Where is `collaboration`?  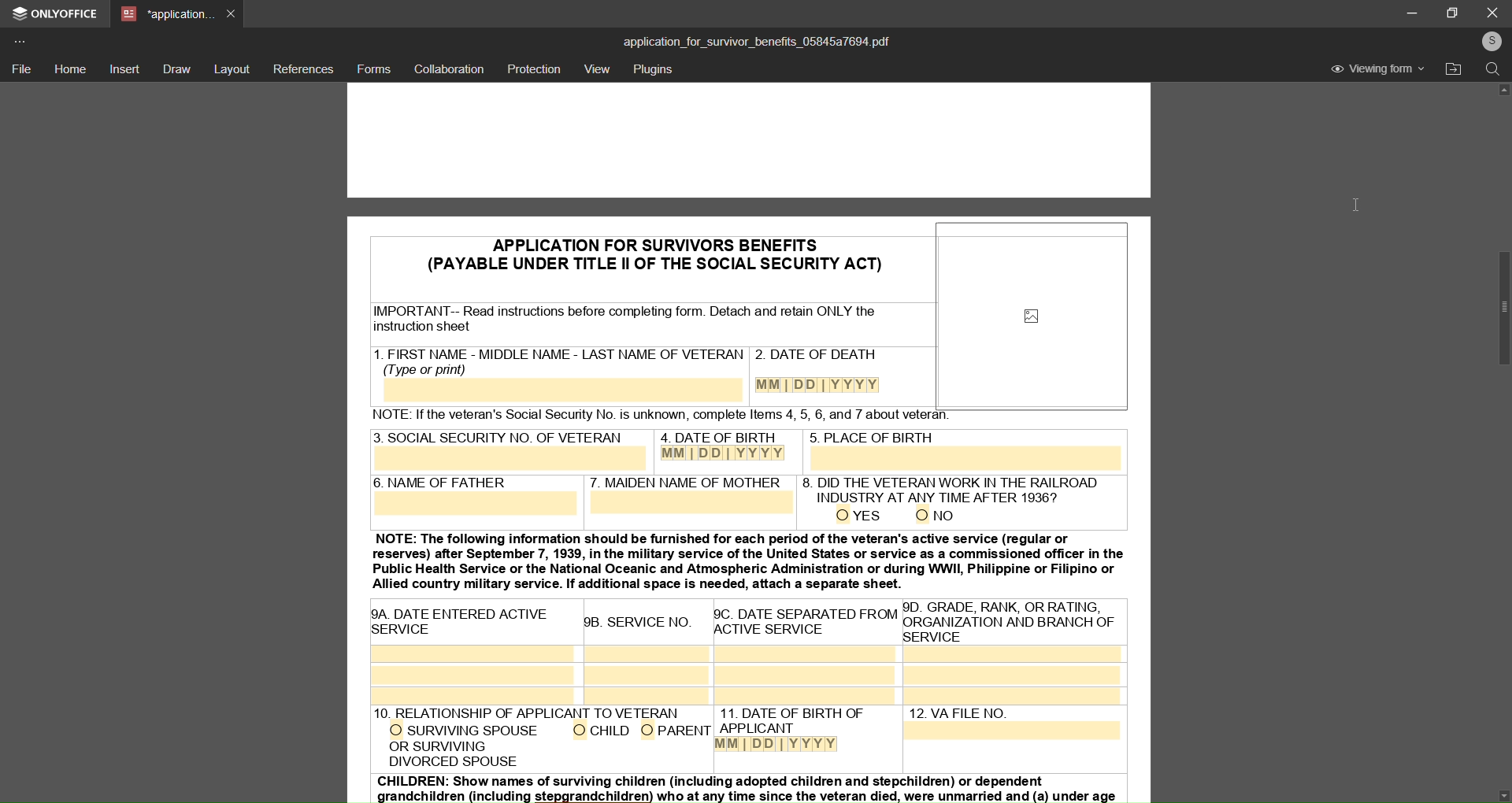
collaboration is located at coordinates (448, 69).